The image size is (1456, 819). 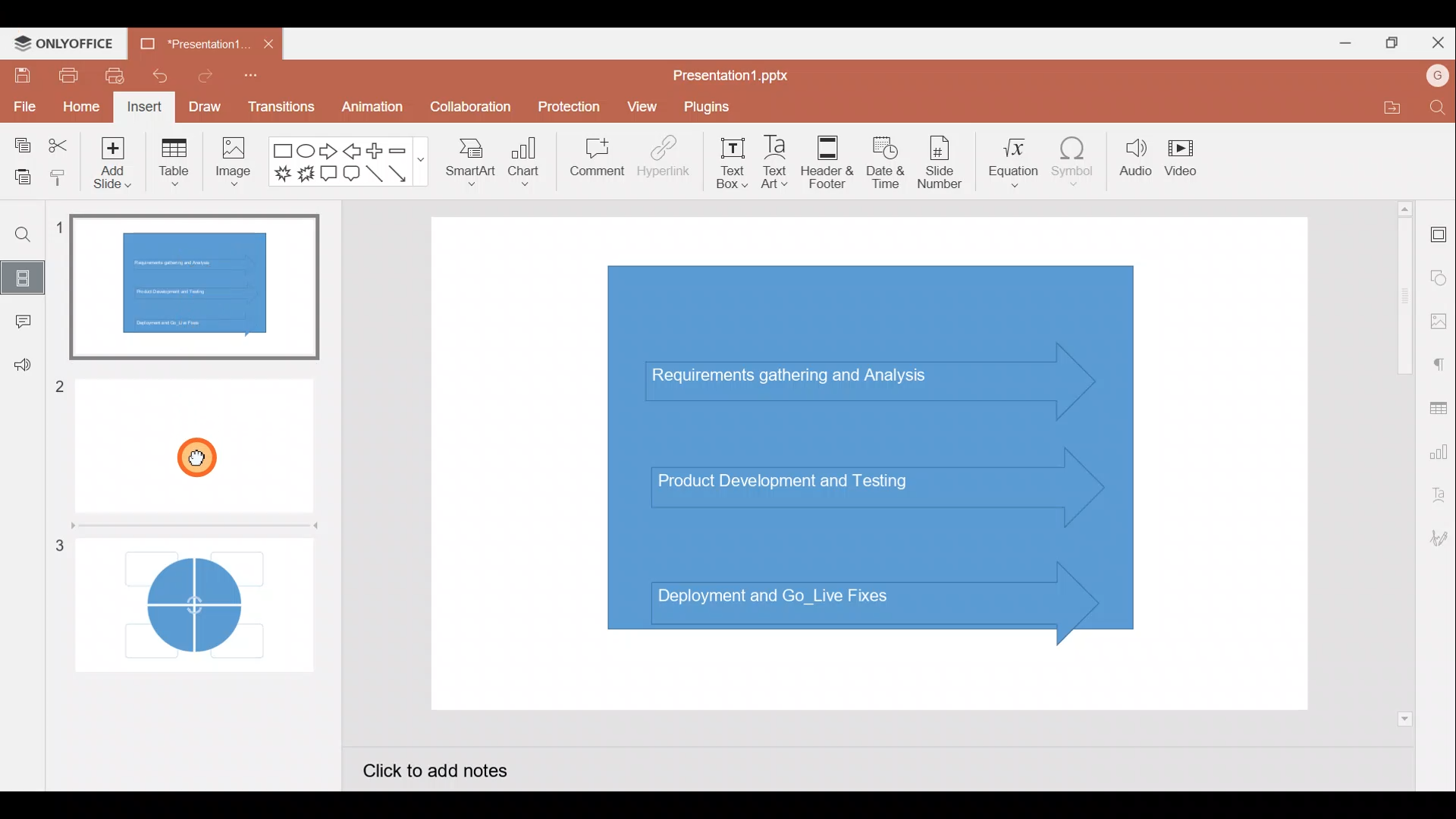 What do you see at coordinates (203, 105) in the screenshot?
I see `Draw` at bounding box center [203, 105].